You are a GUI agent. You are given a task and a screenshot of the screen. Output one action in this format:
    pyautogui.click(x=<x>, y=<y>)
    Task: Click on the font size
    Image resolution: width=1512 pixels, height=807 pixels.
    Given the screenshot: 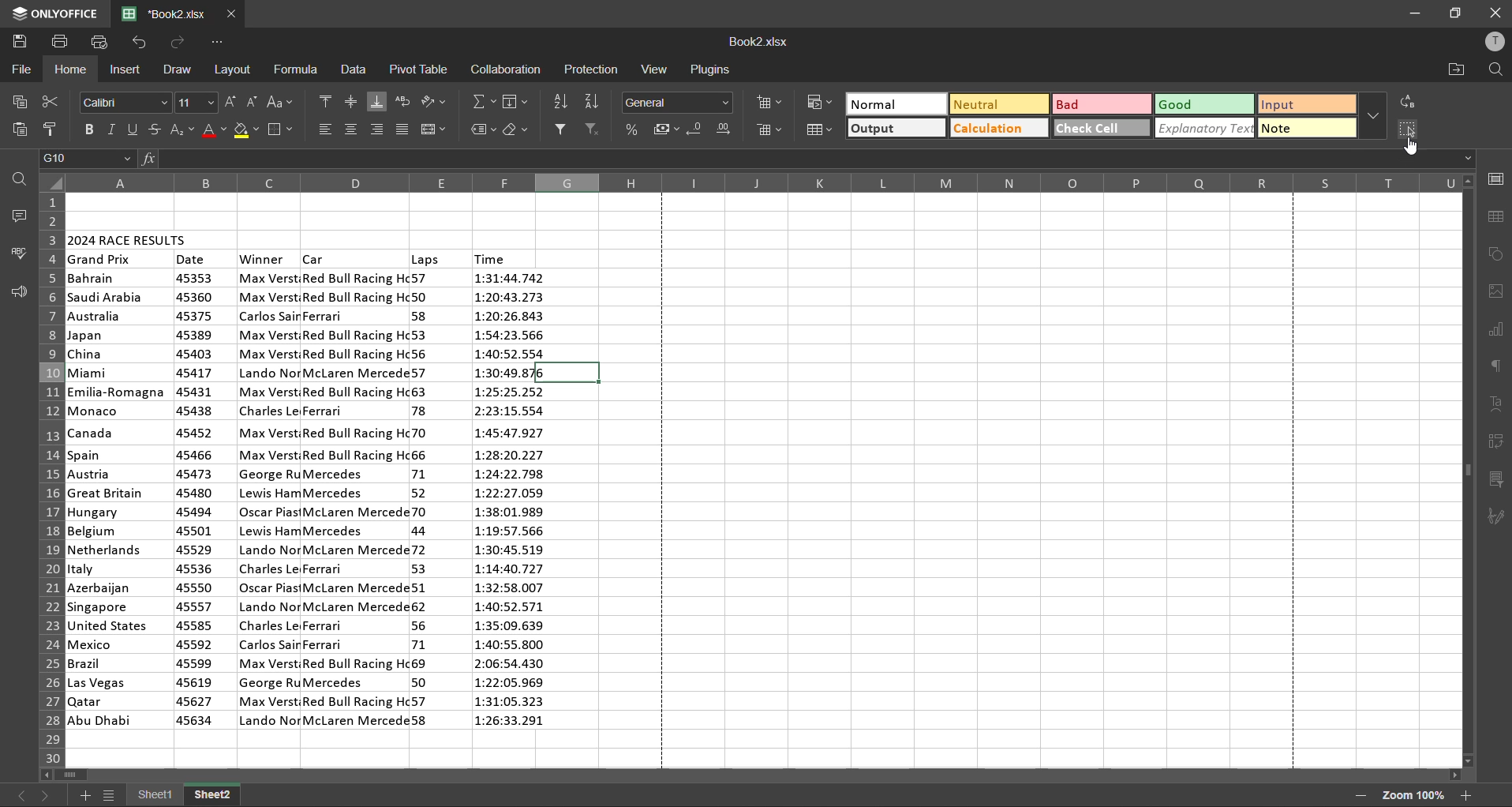 What is the action you would take?
    pyautogui.click(x=194, y=101)
    